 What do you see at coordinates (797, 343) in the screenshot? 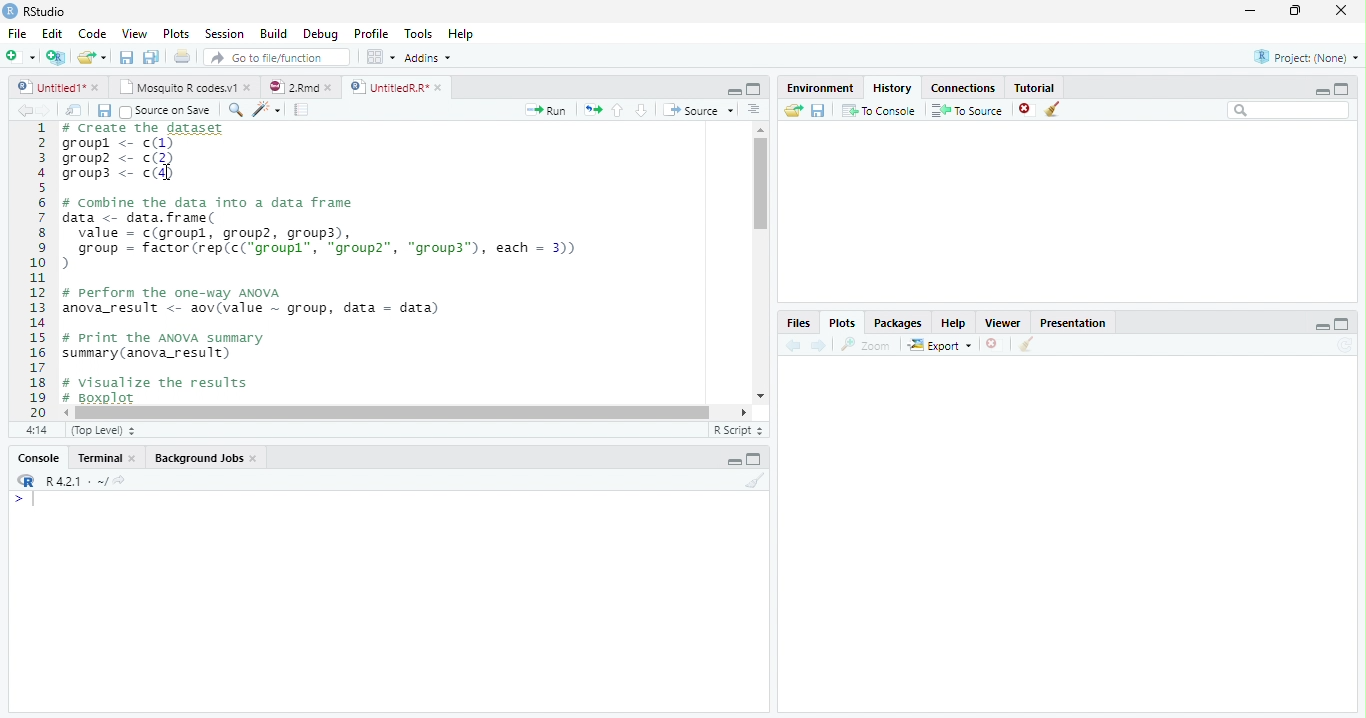
I see `back` at bounding box center [797, 343].